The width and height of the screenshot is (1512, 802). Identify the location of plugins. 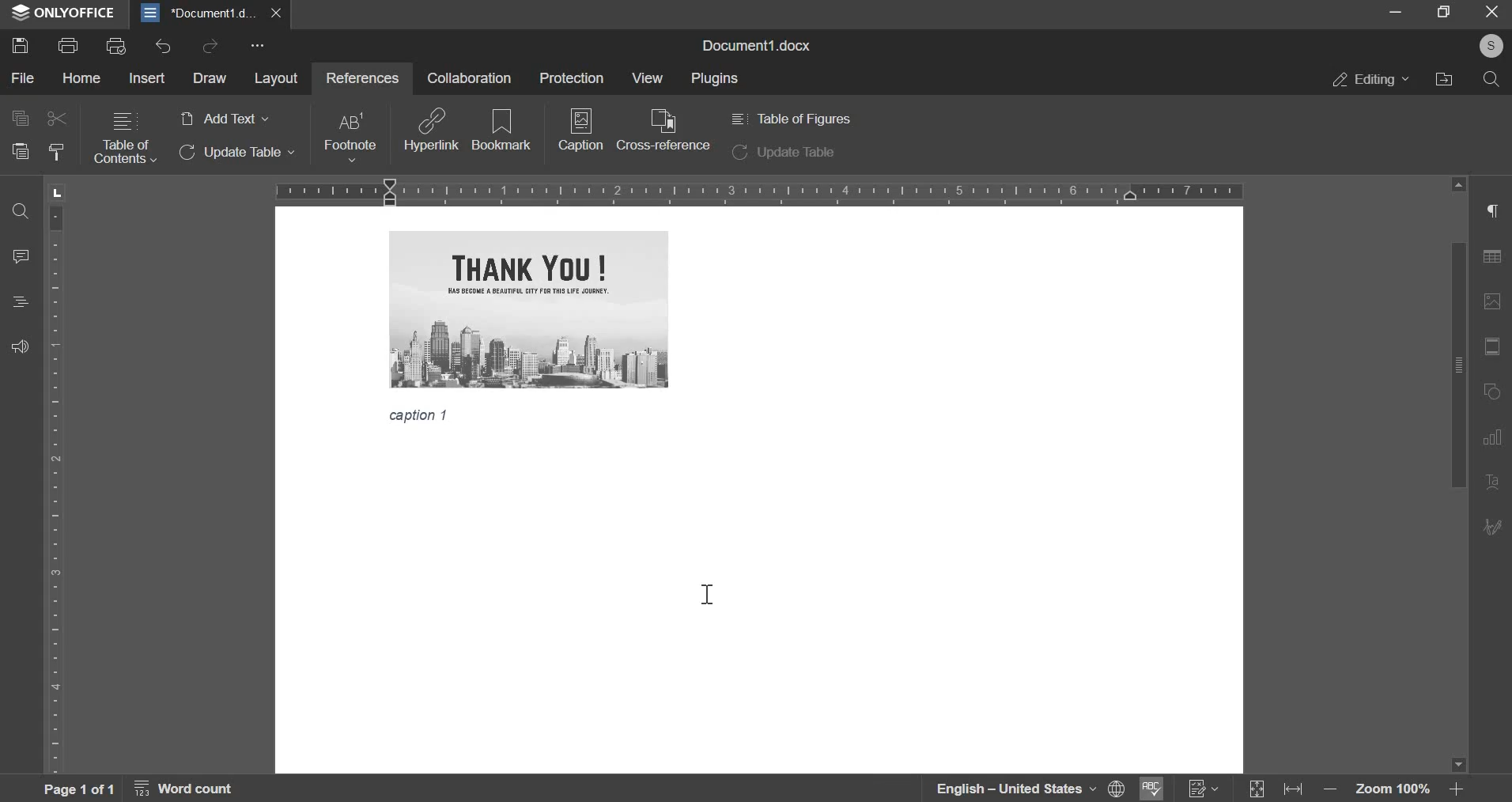
(716, 79).